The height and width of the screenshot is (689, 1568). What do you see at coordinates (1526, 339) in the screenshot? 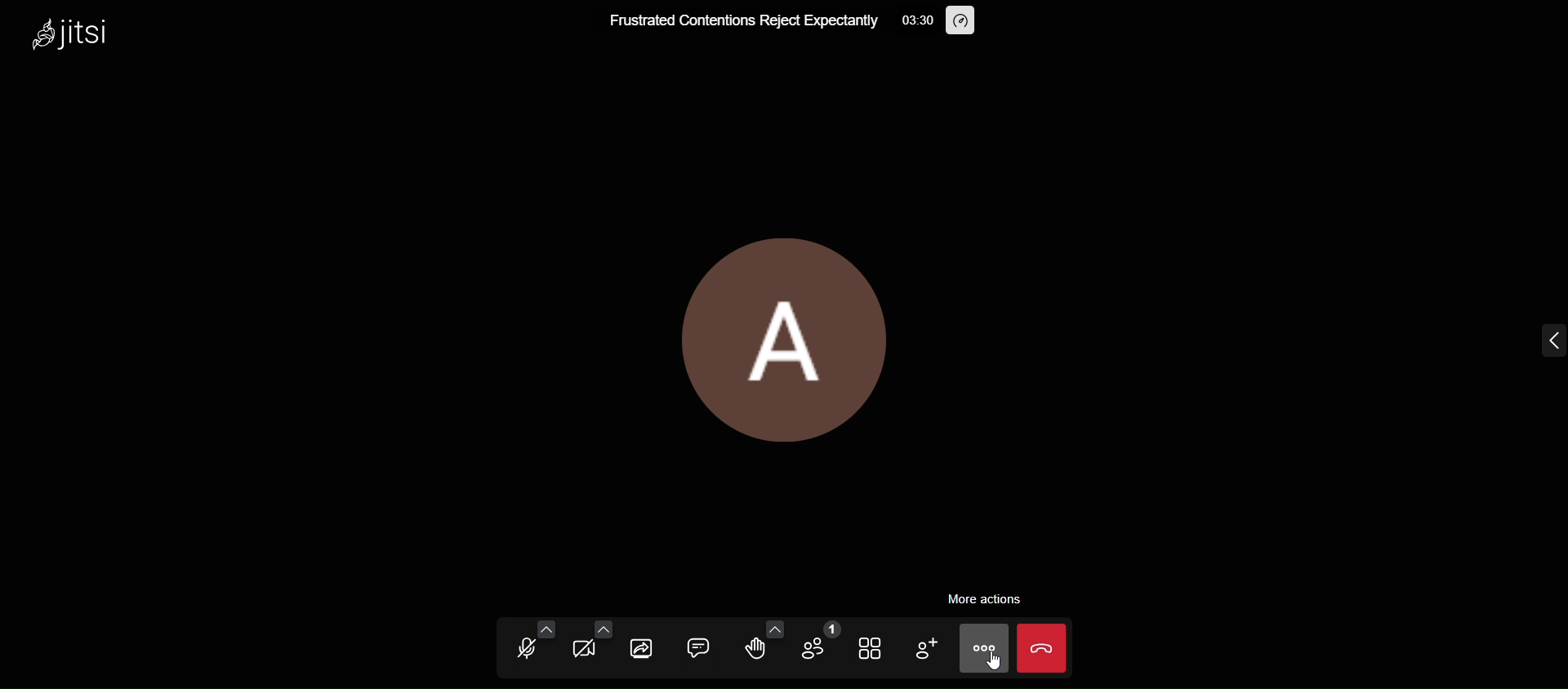
I see `Expand` at bounding box center [1526, 339].